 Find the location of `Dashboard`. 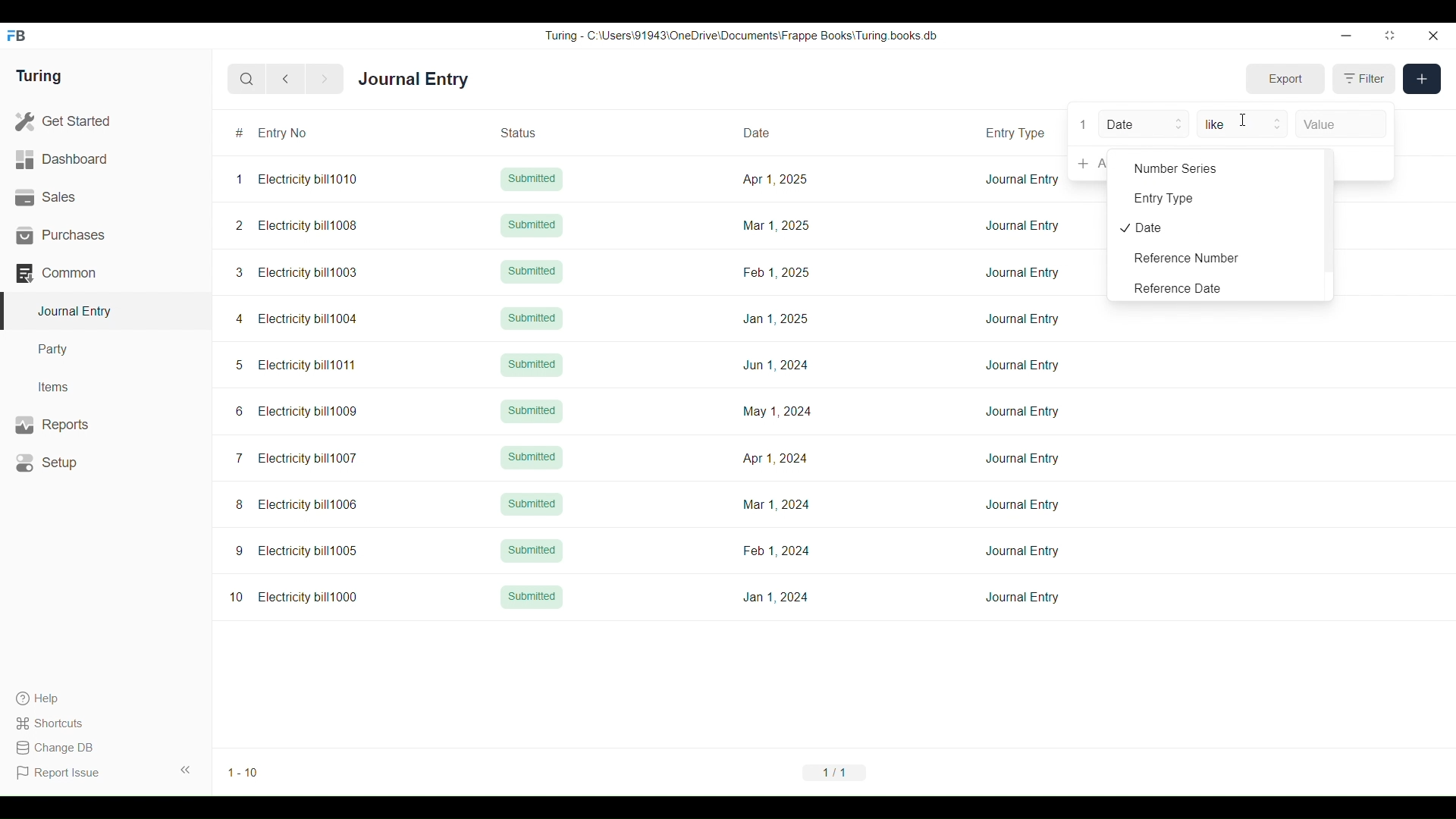

Dashboard is located at coordinates (105, 159).